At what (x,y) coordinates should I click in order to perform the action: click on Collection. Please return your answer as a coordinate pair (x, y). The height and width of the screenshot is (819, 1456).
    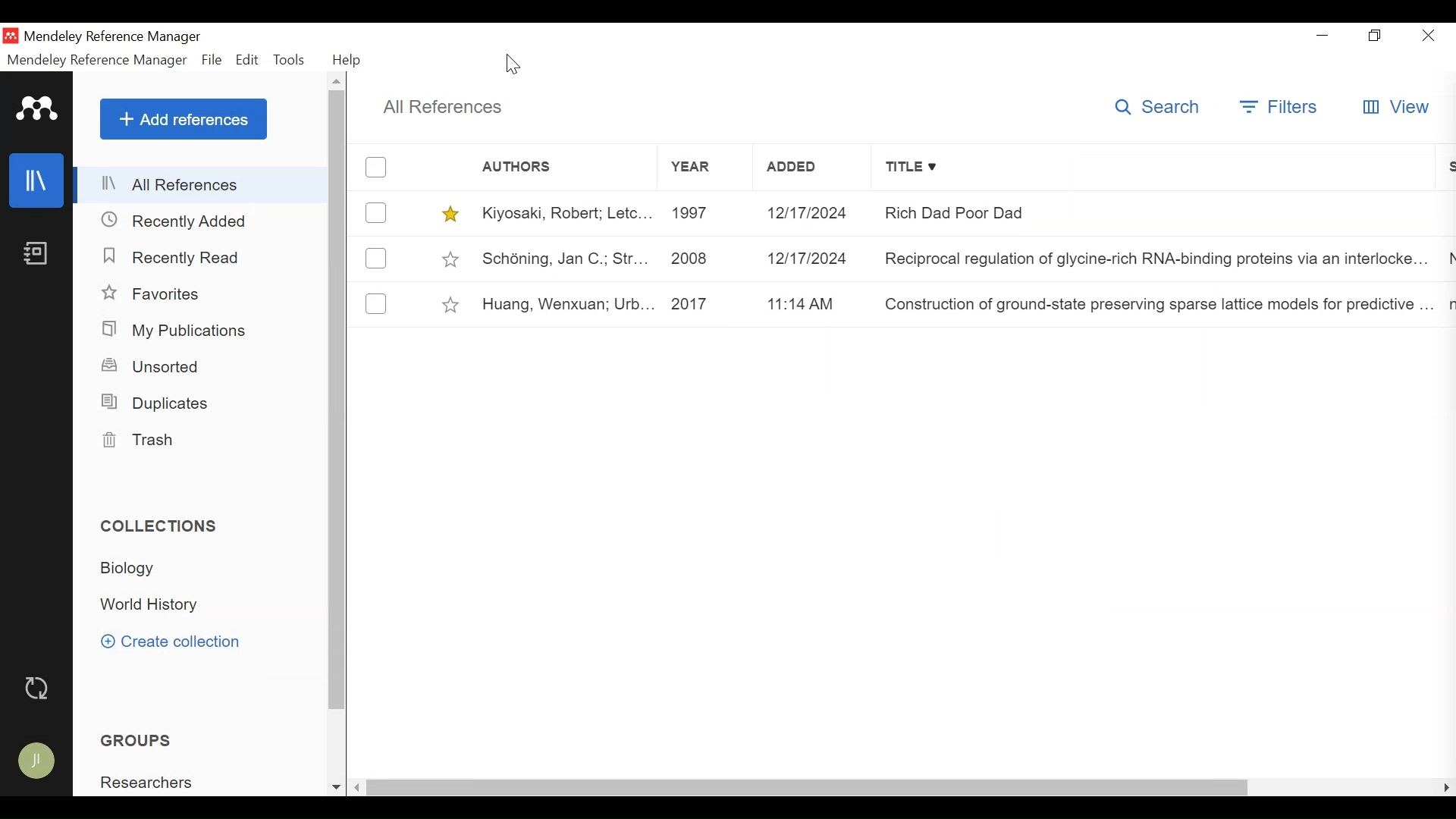
    Looking at the image, I should click on (133, 570).